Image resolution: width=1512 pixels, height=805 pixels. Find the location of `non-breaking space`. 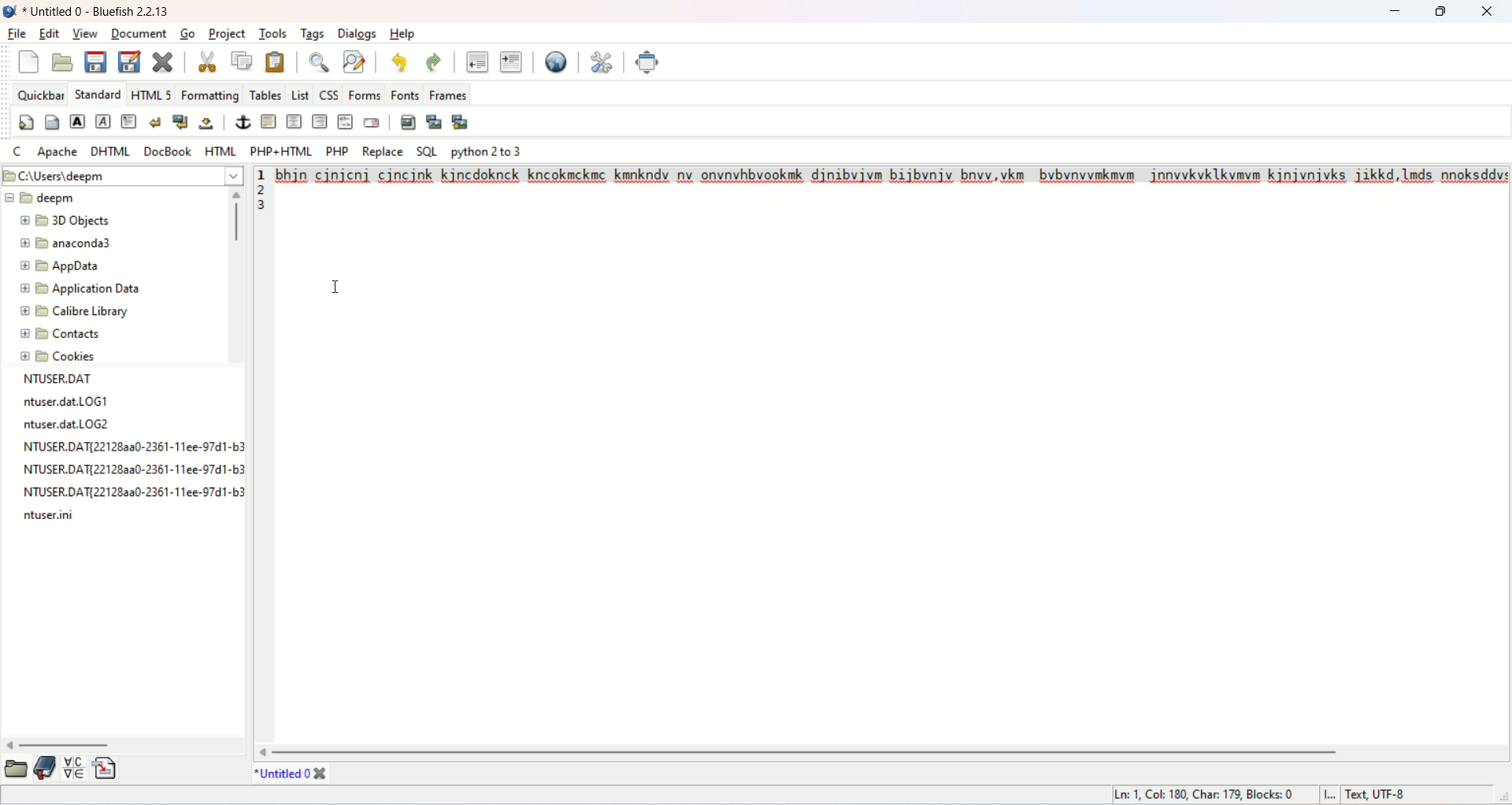

non-breaking space is located at coordinates (206, 122).